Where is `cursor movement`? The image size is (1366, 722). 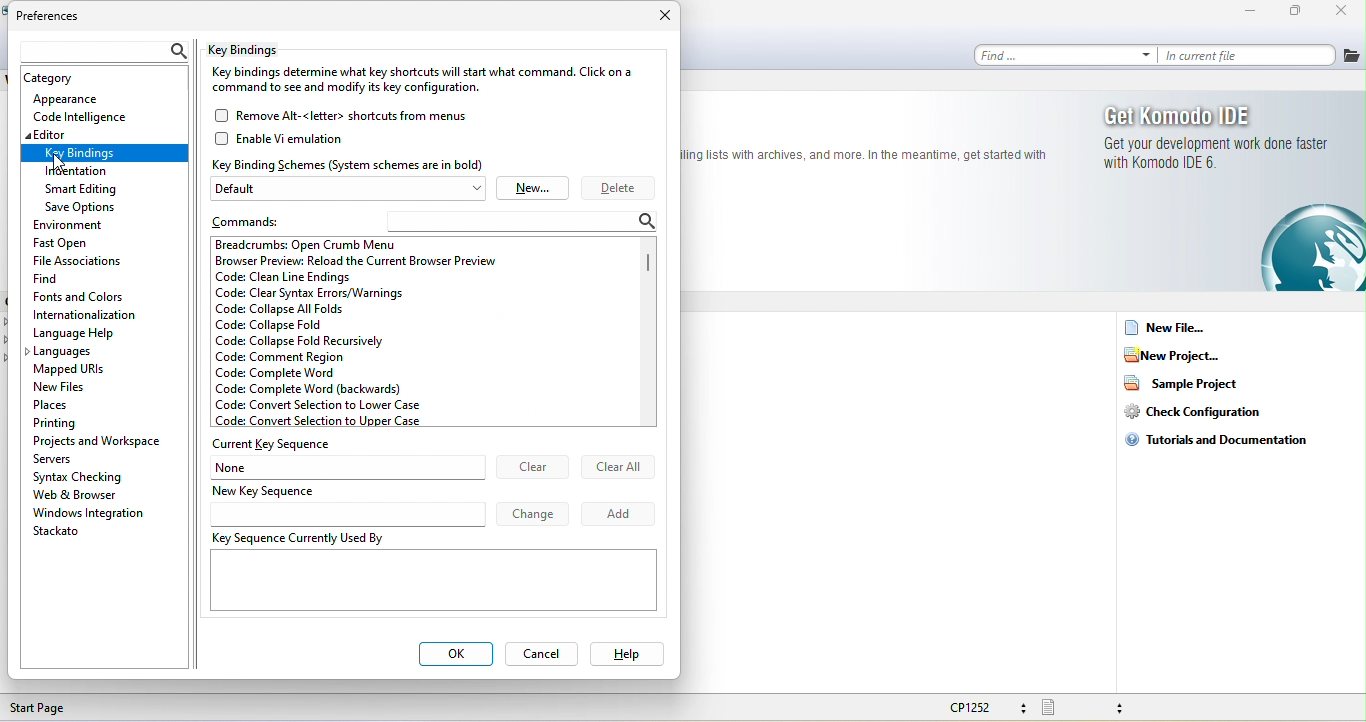
cursor movement is located at coordinates (61, 162).